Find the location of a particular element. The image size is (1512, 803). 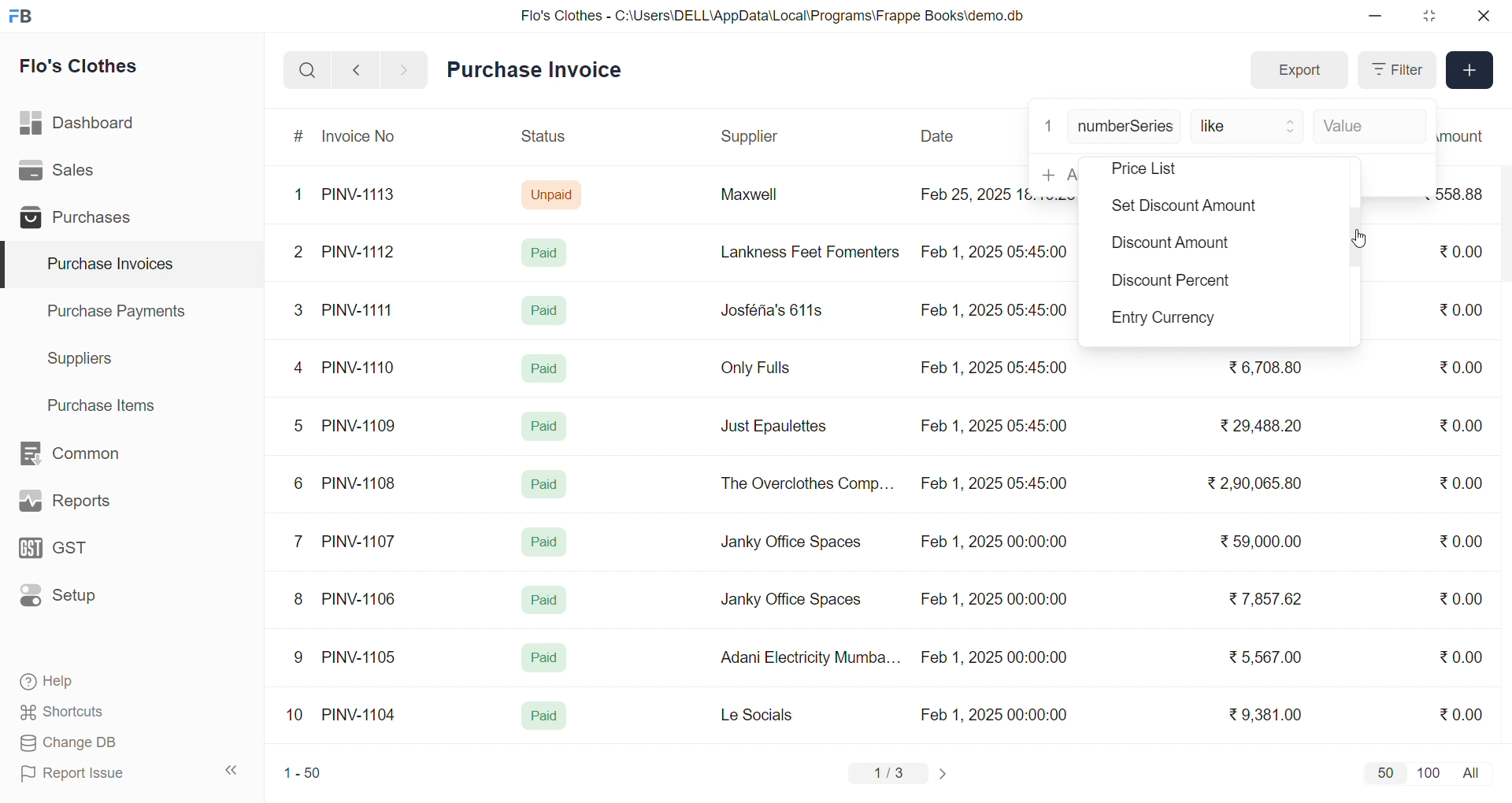

Feb 1, 2025 05:45:00 is located at coordinates (993, 426).